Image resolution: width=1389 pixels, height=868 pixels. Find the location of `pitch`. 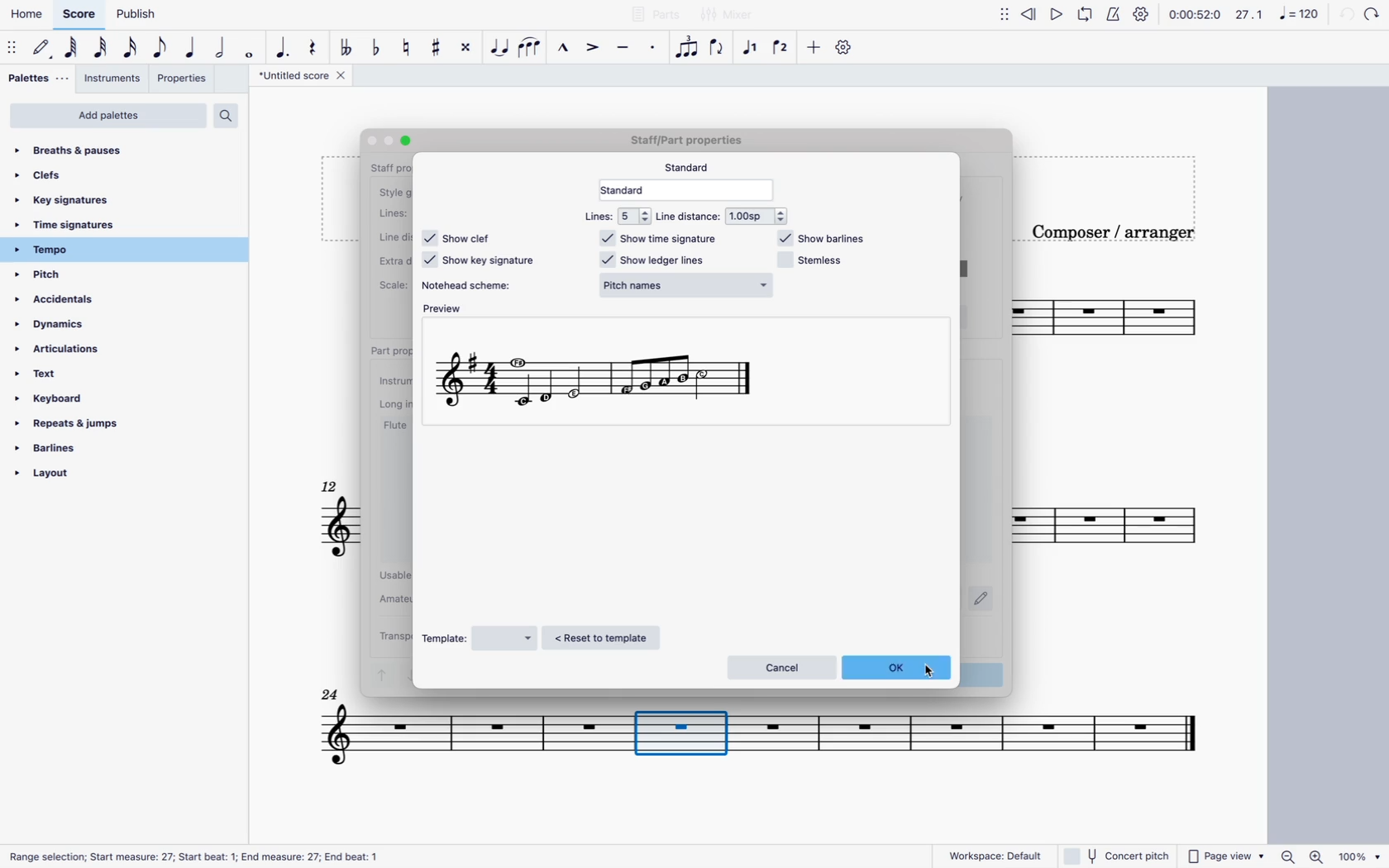

pitch is located at coordinates (64, 276).